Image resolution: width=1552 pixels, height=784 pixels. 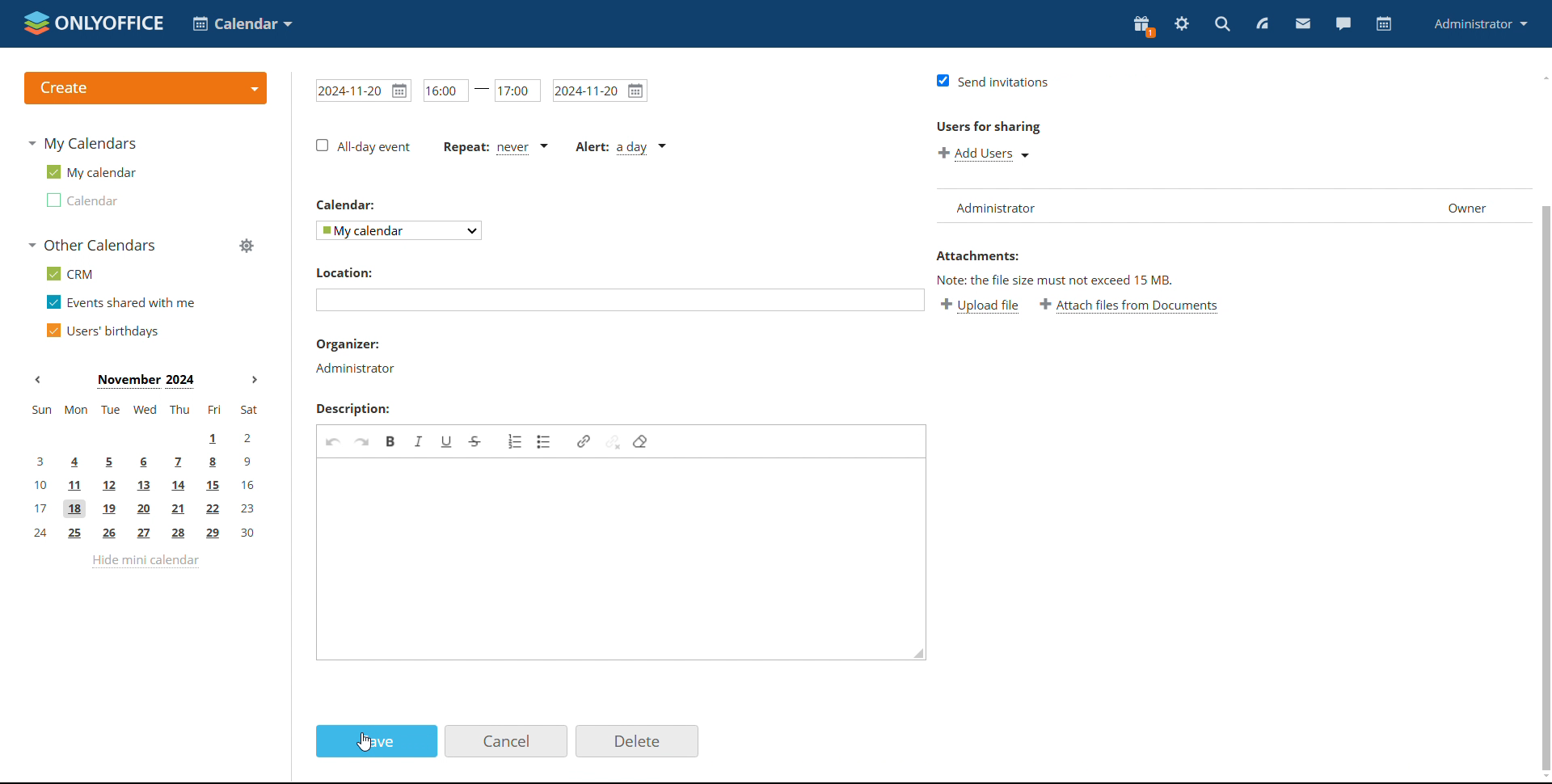 I want to click on manage, so click(x=245, y=245).